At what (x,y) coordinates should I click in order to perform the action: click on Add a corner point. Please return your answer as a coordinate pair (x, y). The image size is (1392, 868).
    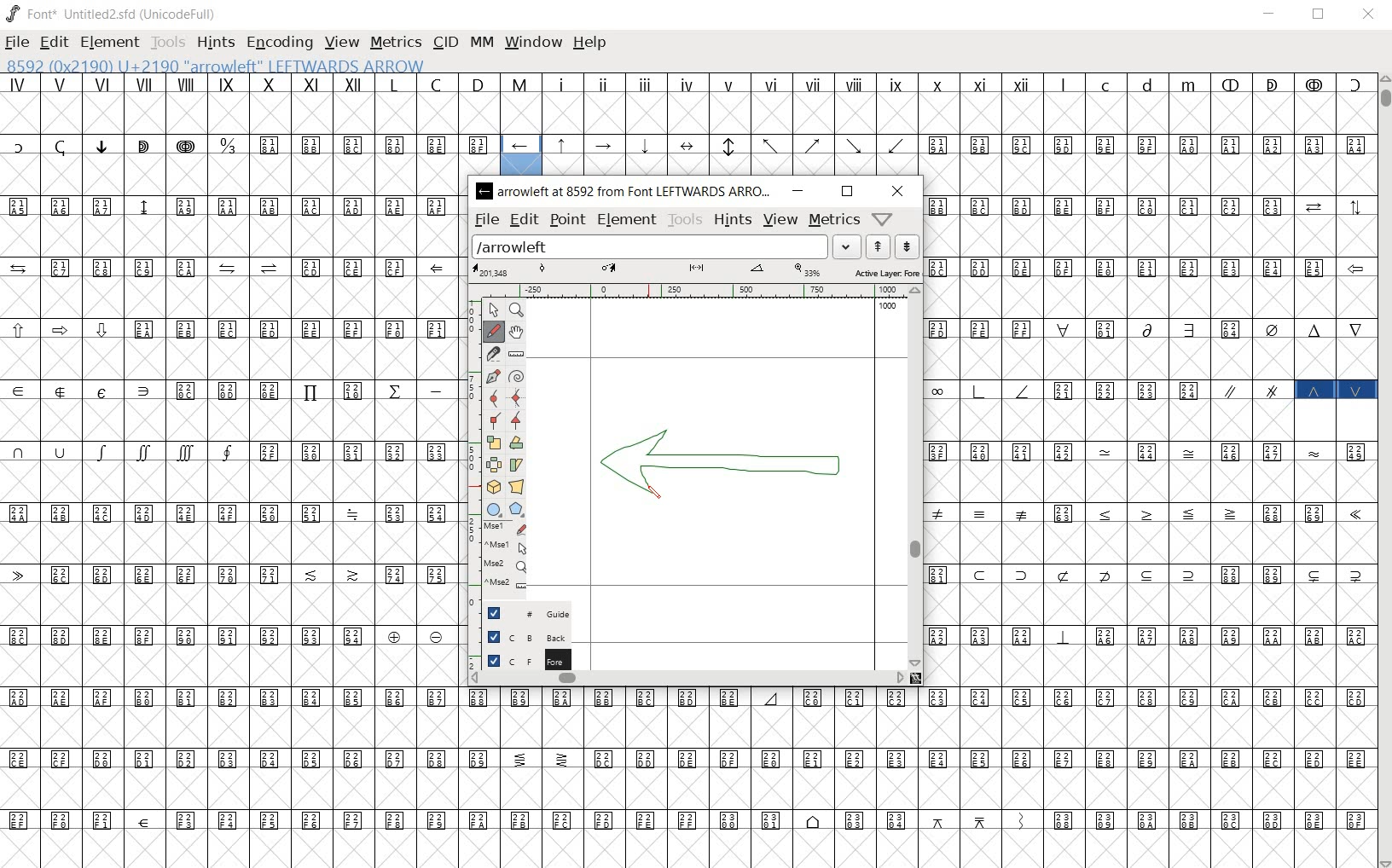
    Looking at the image, I should click on (492, 421).